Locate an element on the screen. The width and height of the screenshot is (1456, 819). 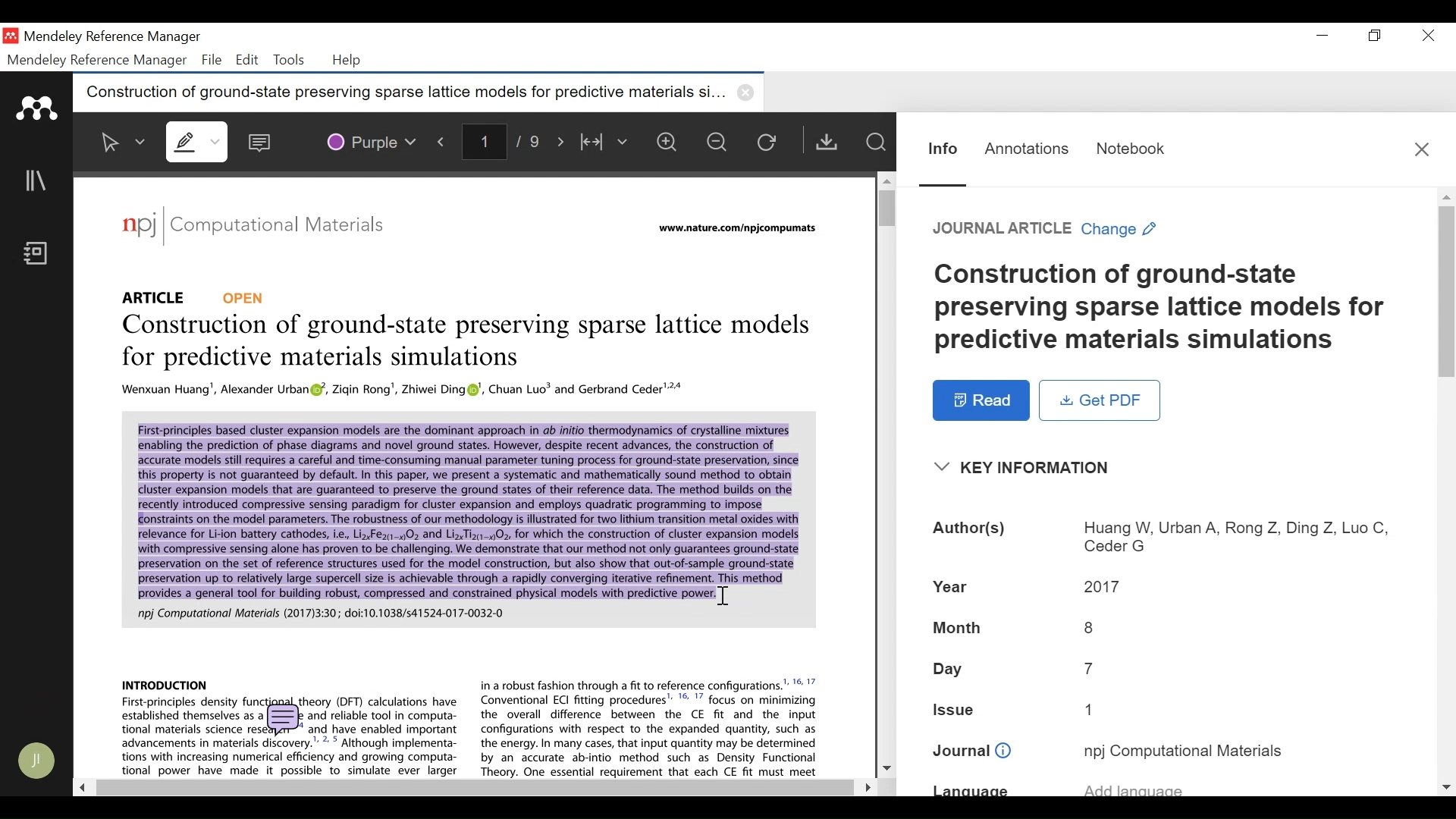
Restore is located at coordinates (1376, 36).